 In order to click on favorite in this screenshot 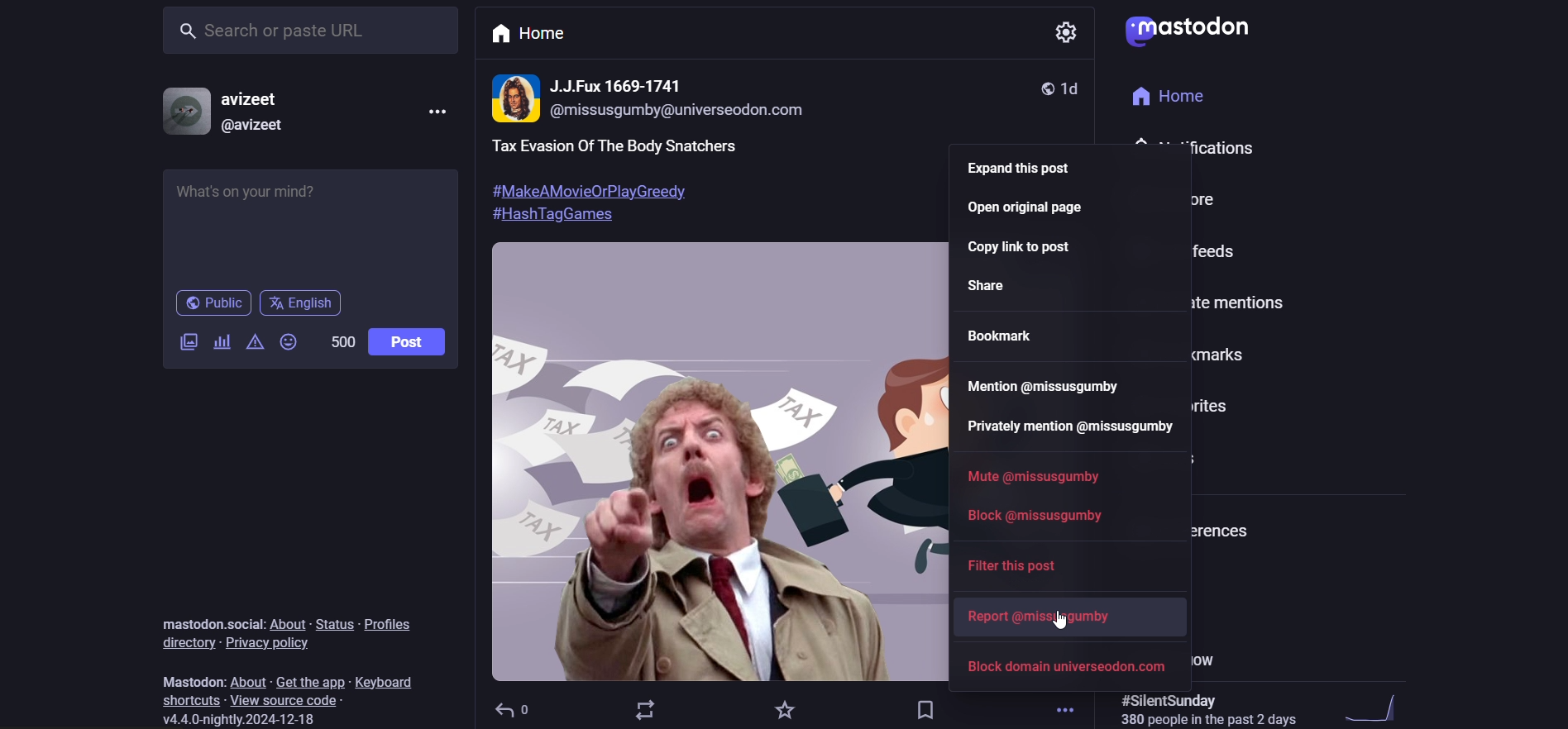, I will do `click(781, 708)`.